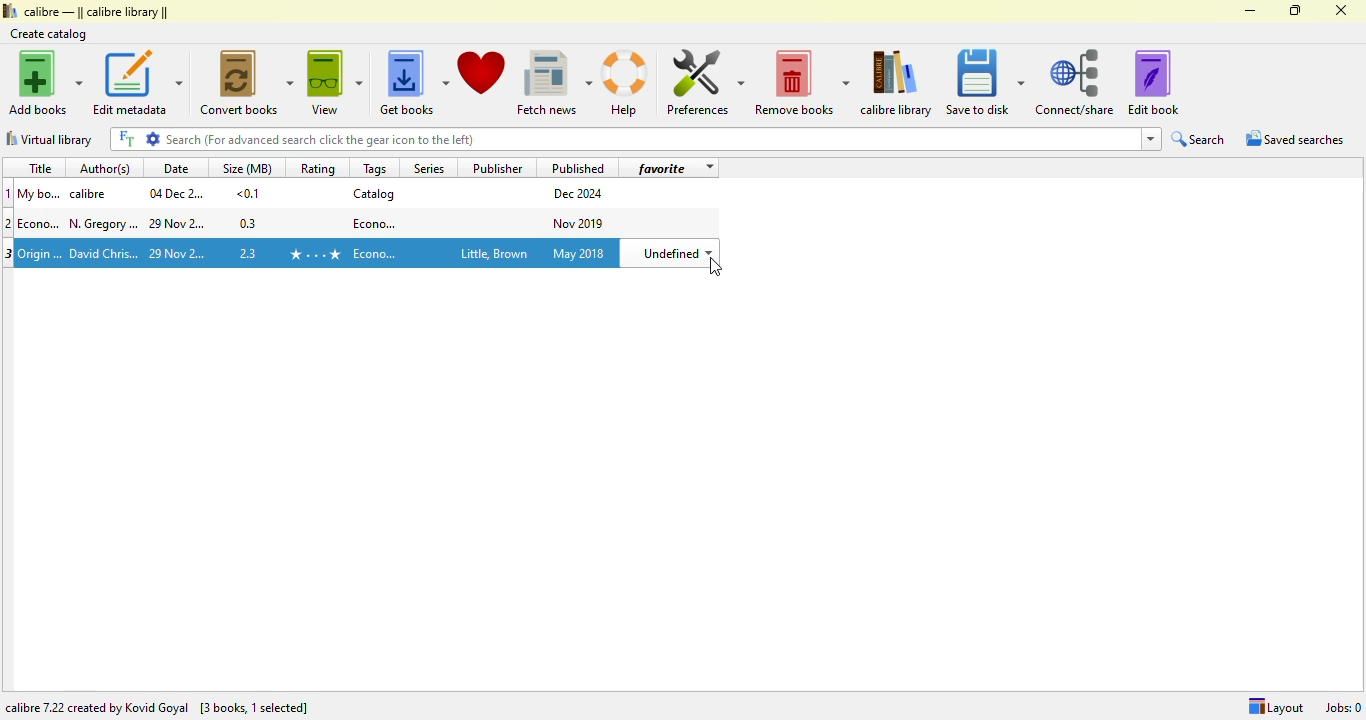  What do you see at coordinates (708, 168) in the screenshot?
I see `dropdown` at bounding box center [708, 168].